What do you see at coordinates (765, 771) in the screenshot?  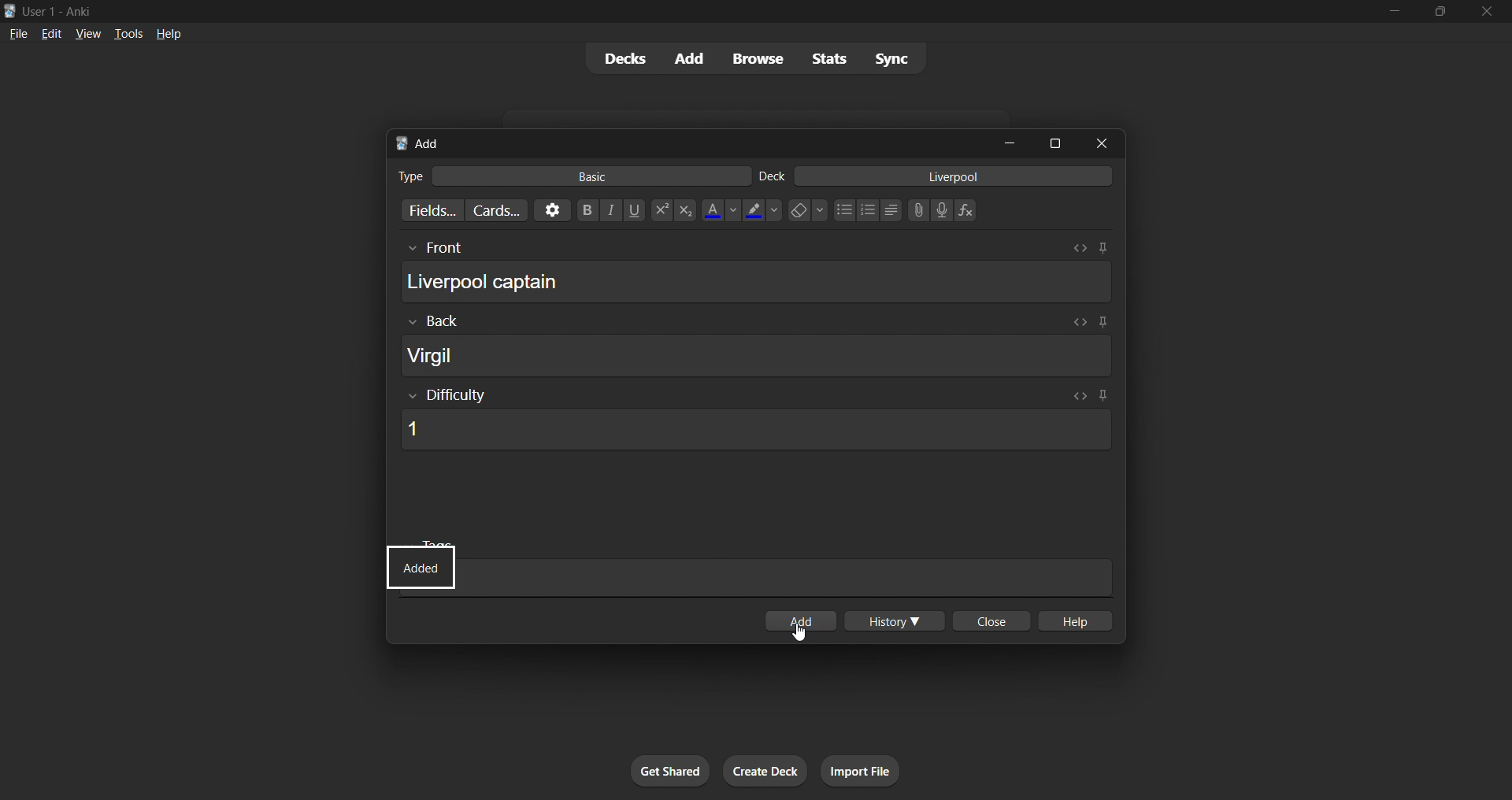 I see `create deck` at bounding box center [765, 771].